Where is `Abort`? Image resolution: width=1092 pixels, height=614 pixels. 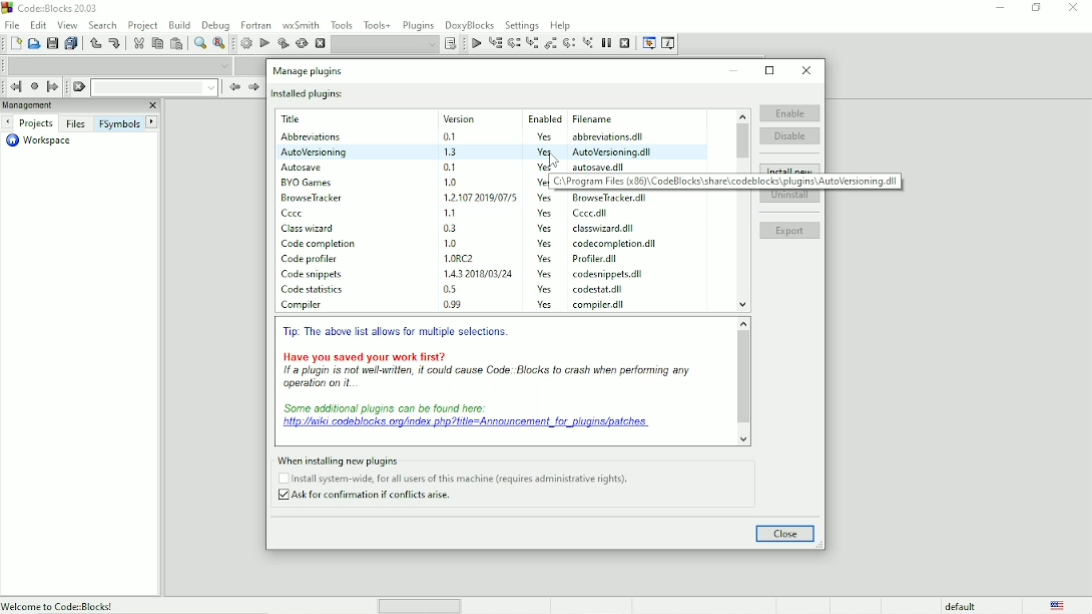
Abort is located at coordinates (320, 44).